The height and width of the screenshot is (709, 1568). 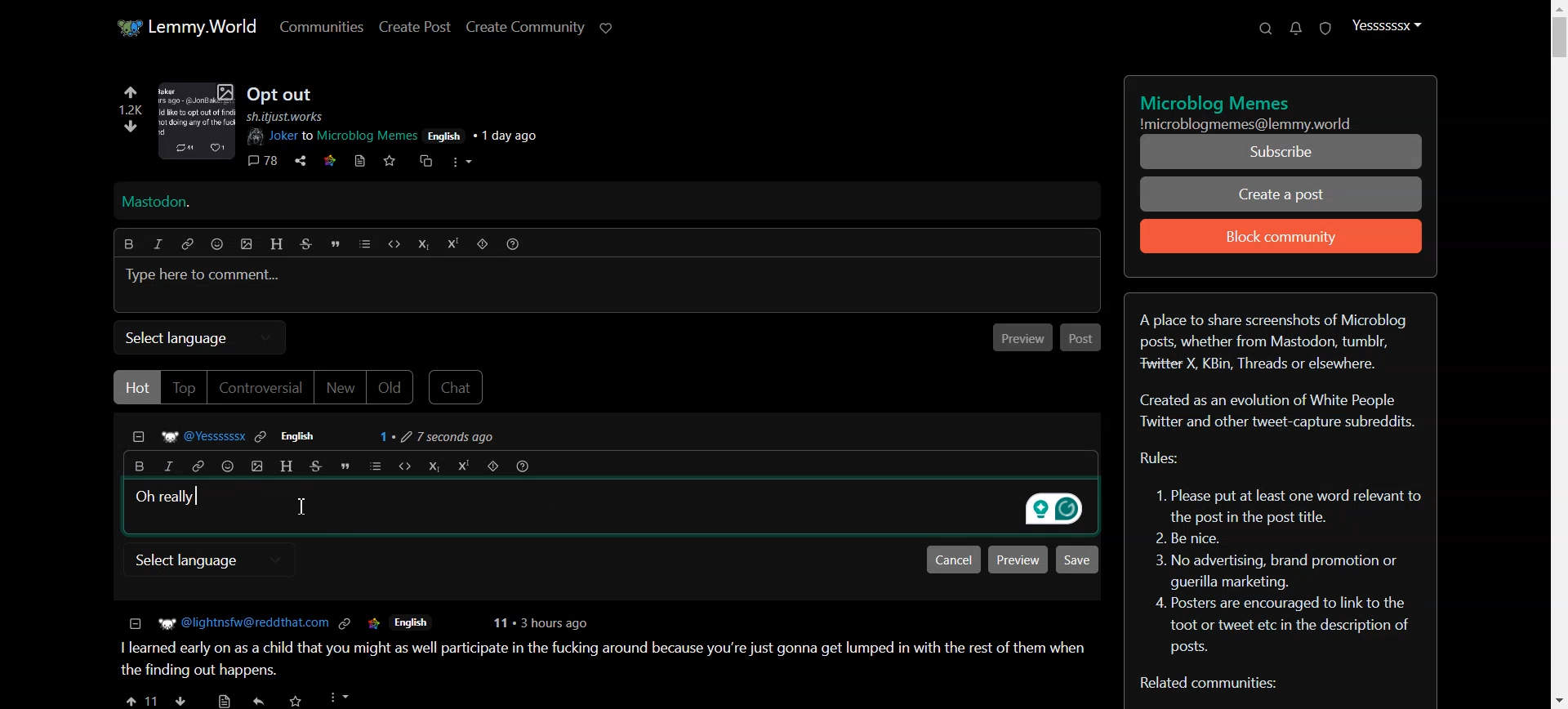 What do you see at coordinates (1263, 123) in the screenshot?
I see `Text` at bounding box center [1263, 123].